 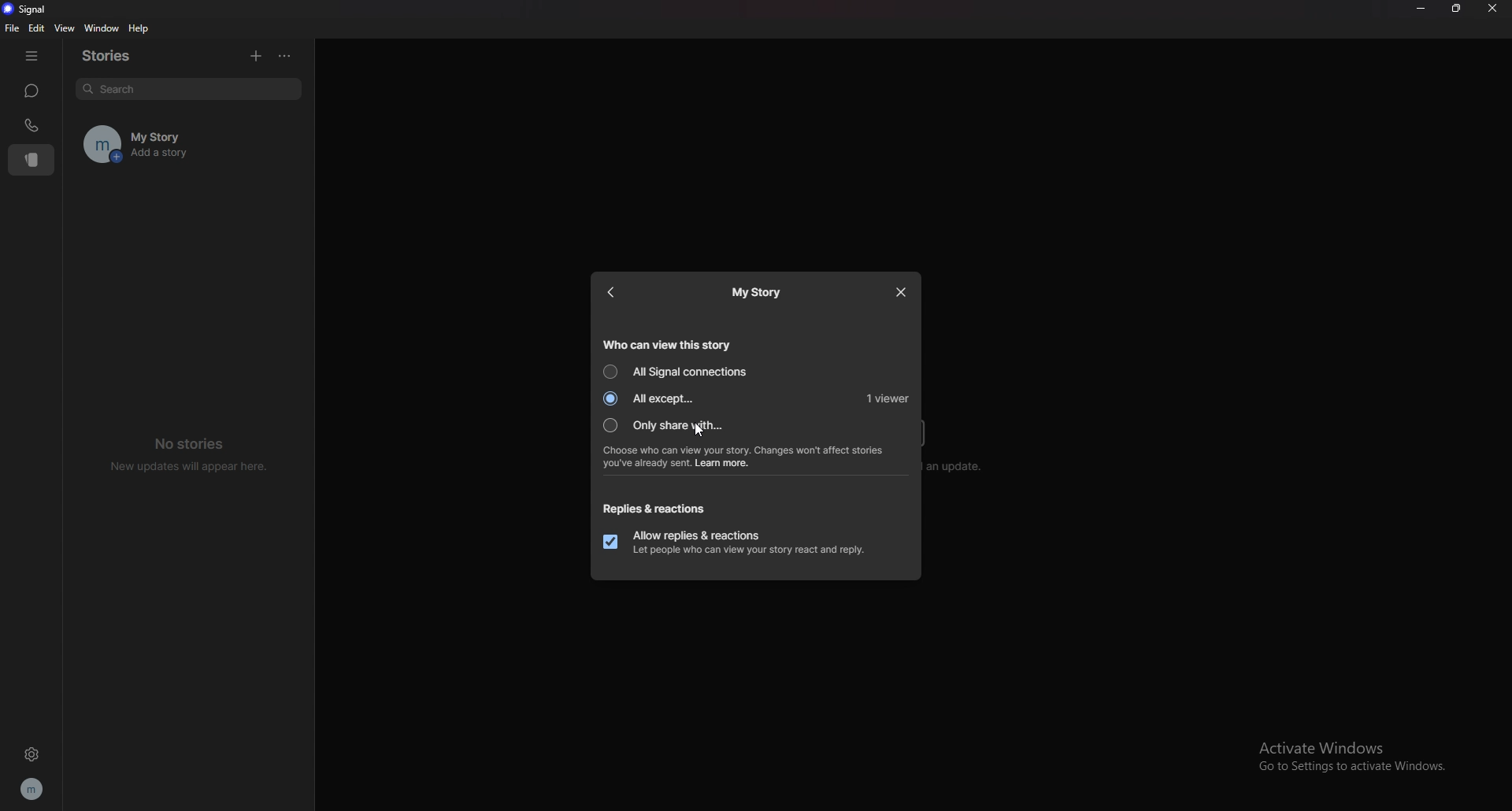 What do you see at coordinates (36, 28) in the screenshot?
I see `edit` at bounding box center [36, 28].